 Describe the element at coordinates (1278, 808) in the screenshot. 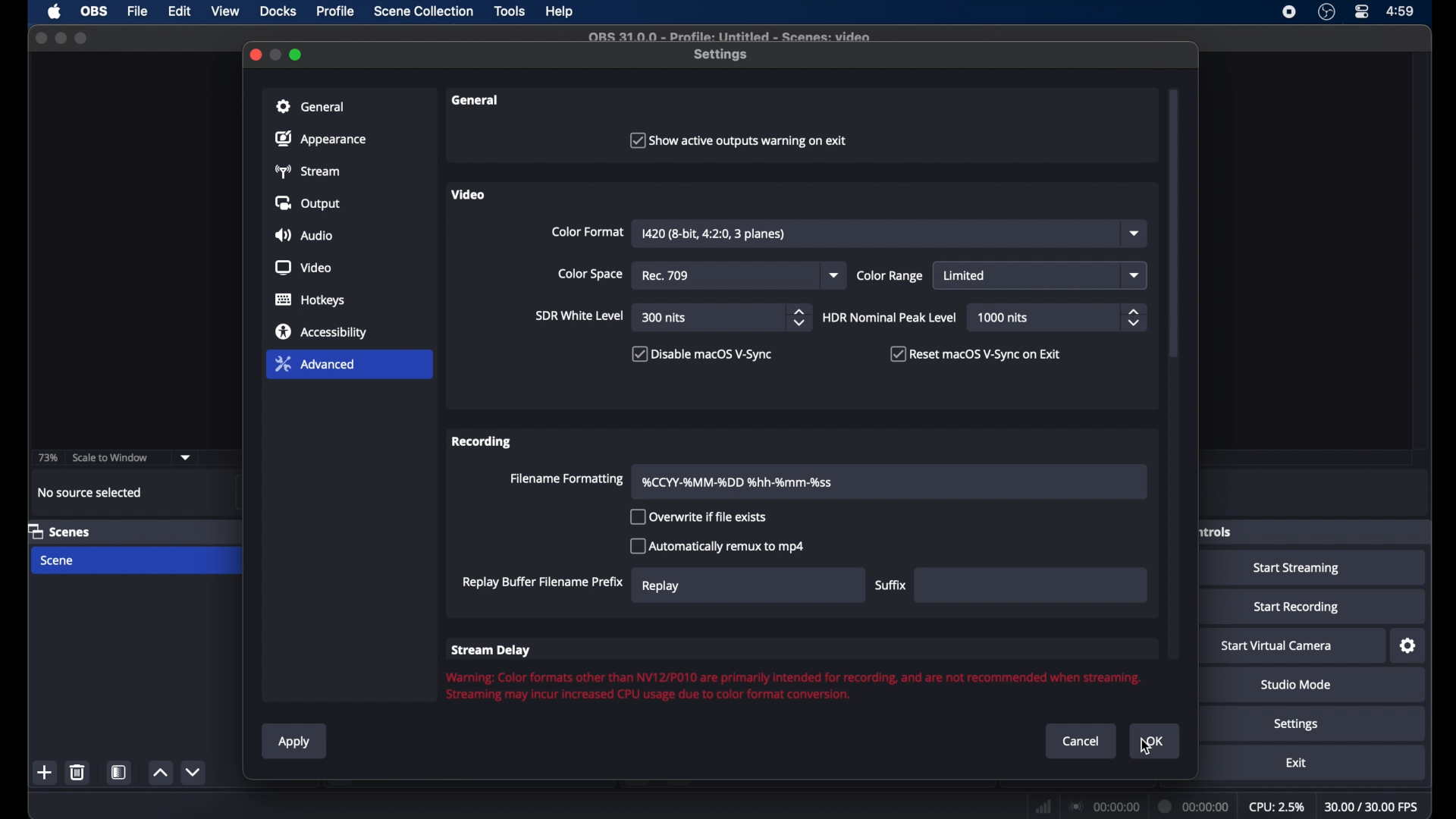

I see `cpu: 2.5%` at that location.